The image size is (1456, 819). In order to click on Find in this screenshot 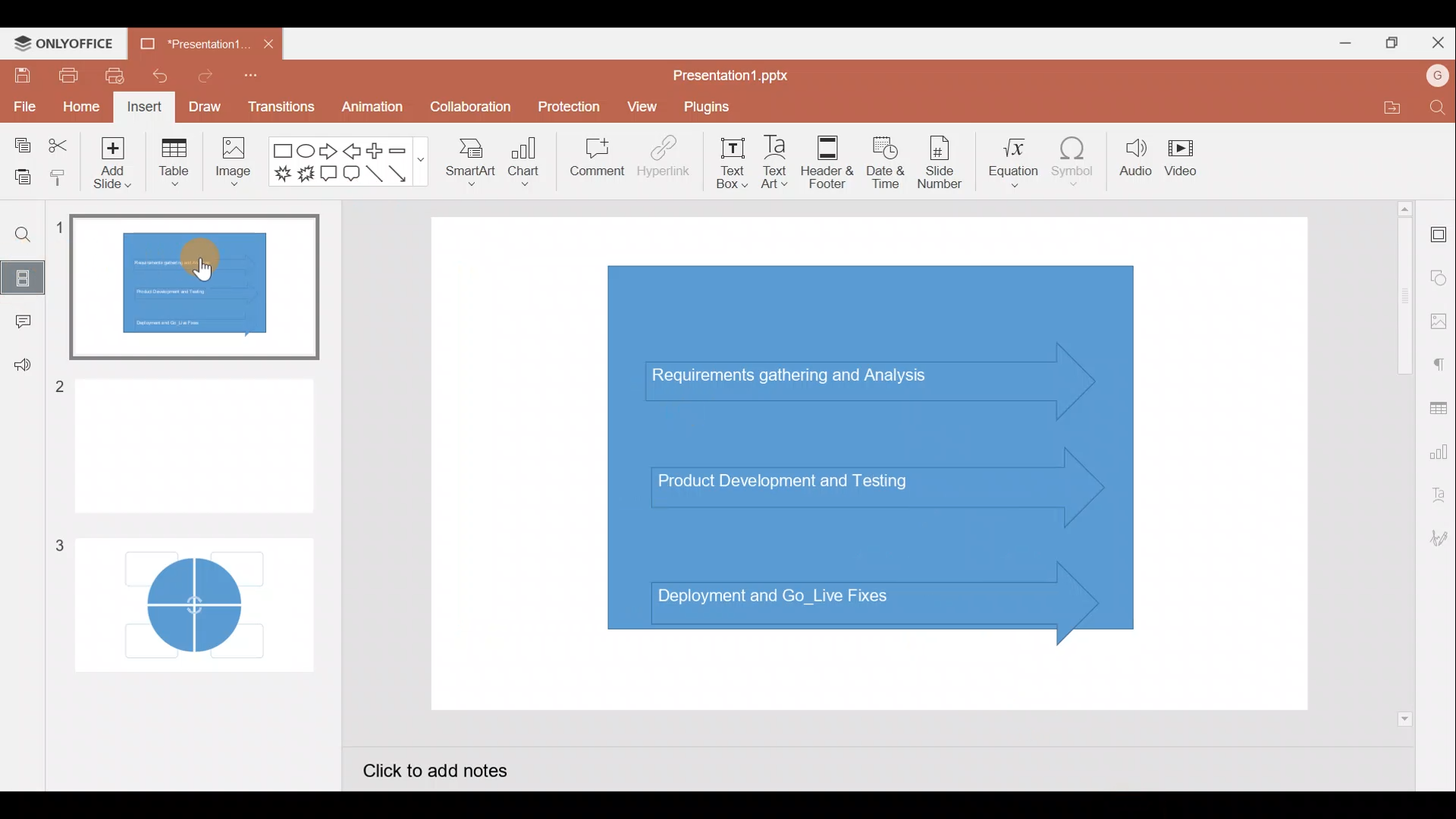, I will do `click(1435, 108)`.